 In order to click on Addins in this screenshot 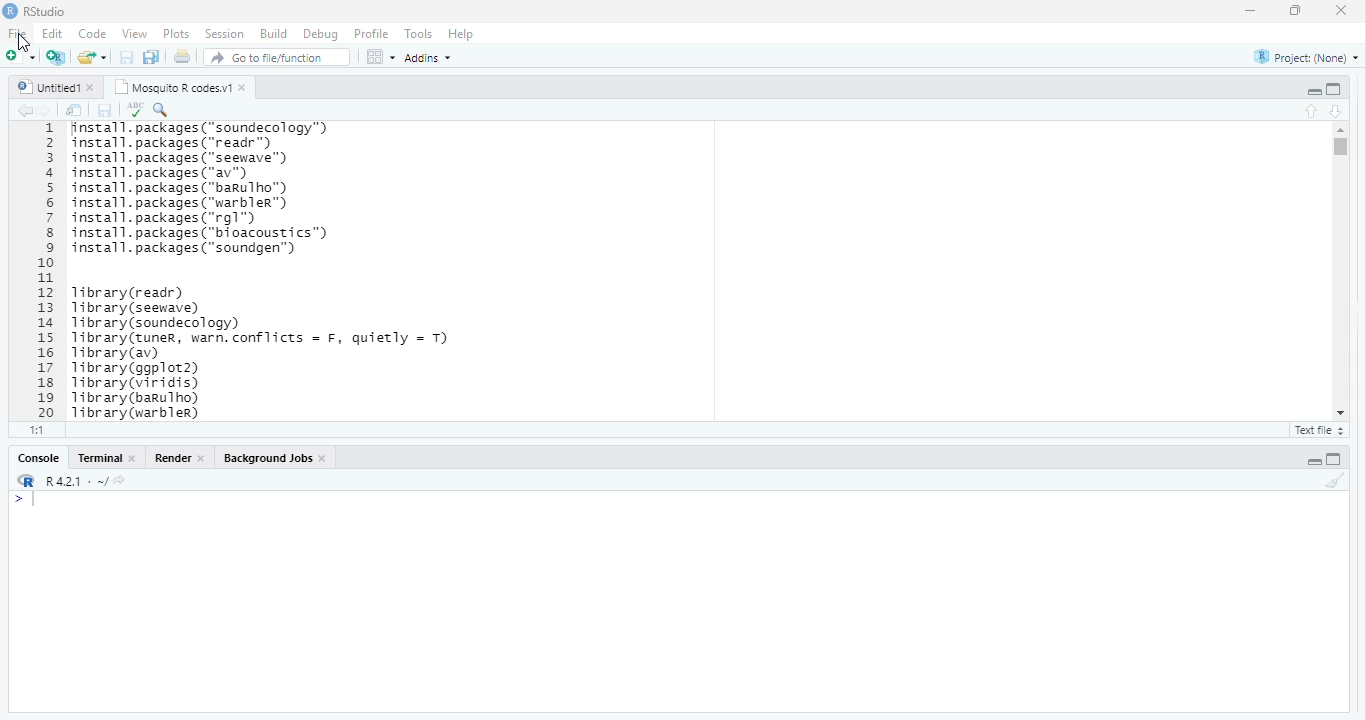, I will do `click(429, 59)`.